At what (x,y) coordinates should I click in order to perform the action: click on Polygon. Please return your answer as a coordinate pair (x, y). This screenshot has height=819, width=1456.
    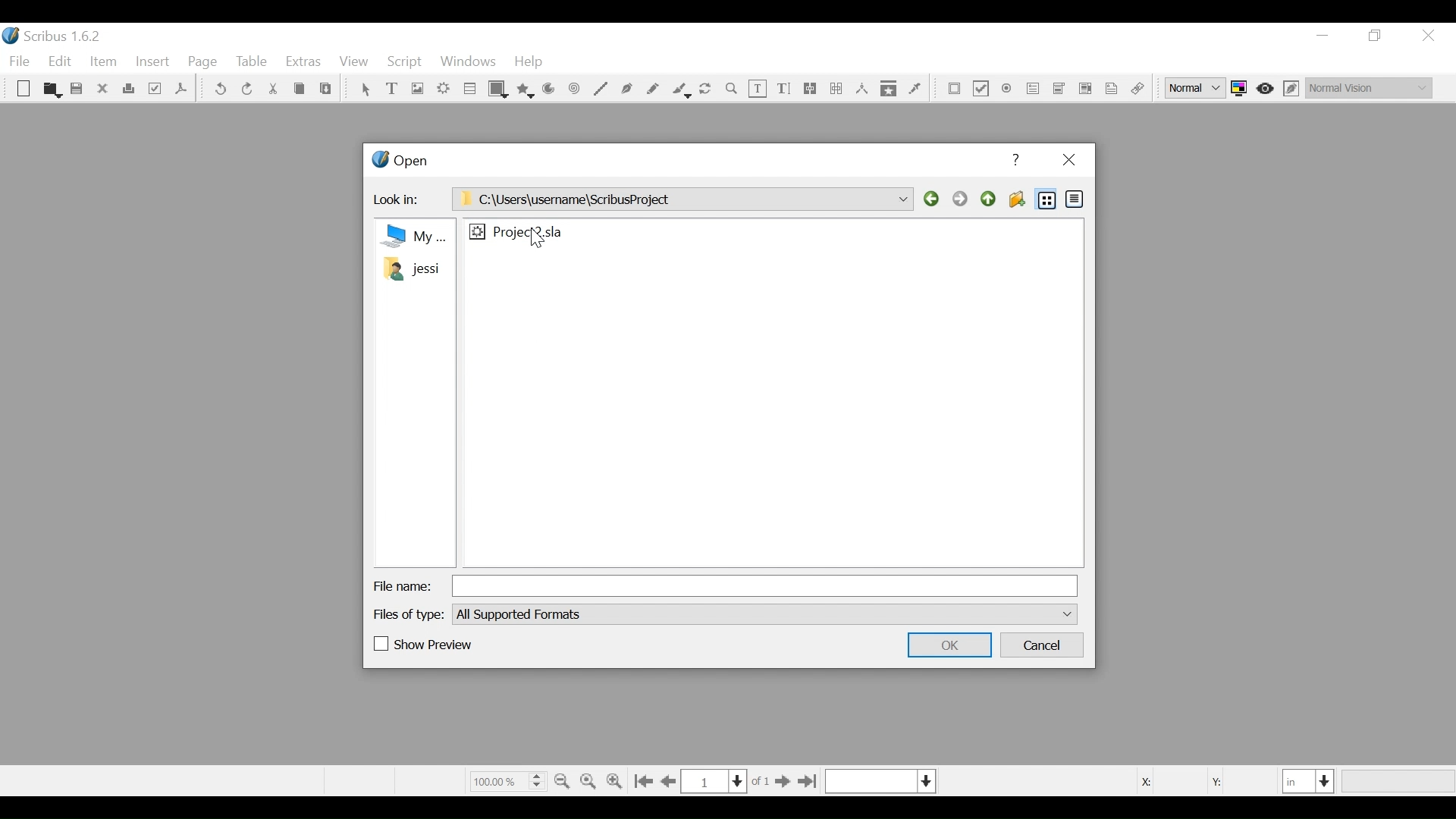
    Looking at the image, I should click on (526, 89).